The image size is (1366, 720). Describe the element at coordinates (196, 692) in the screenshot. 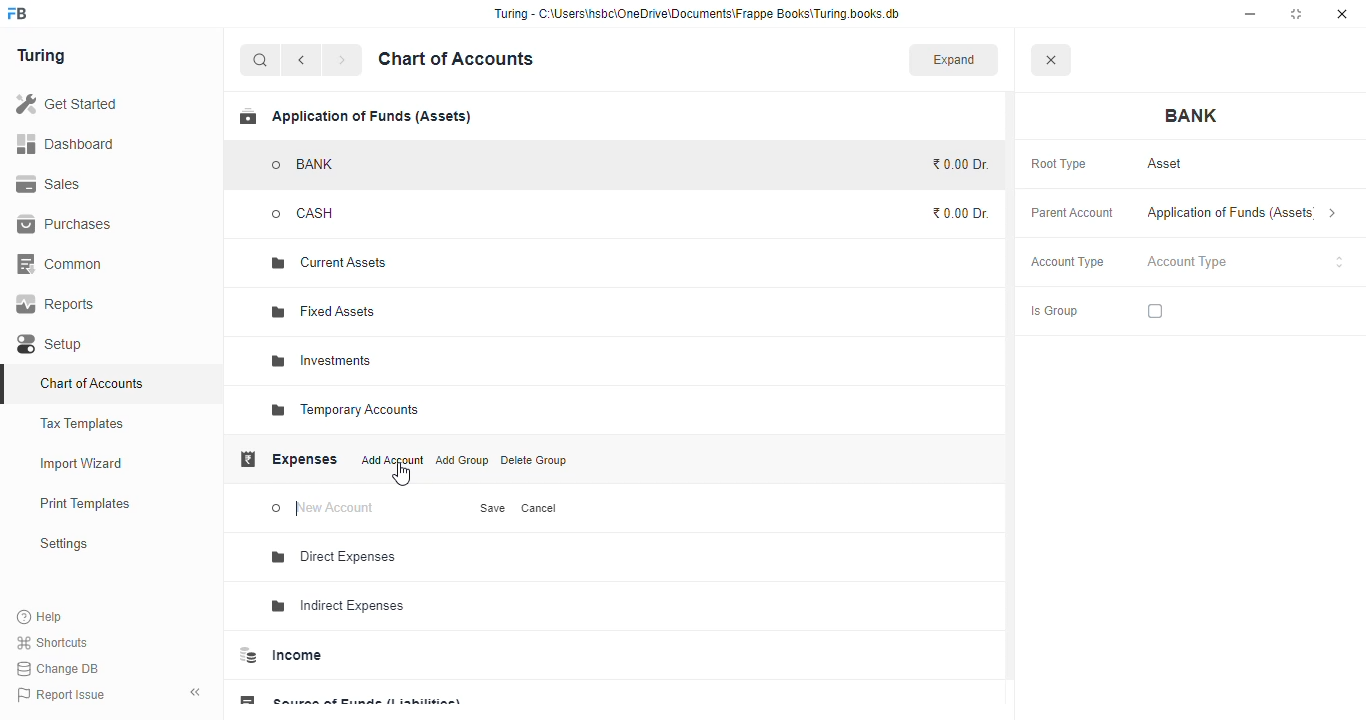

I see `toggle sidebar` at that location.